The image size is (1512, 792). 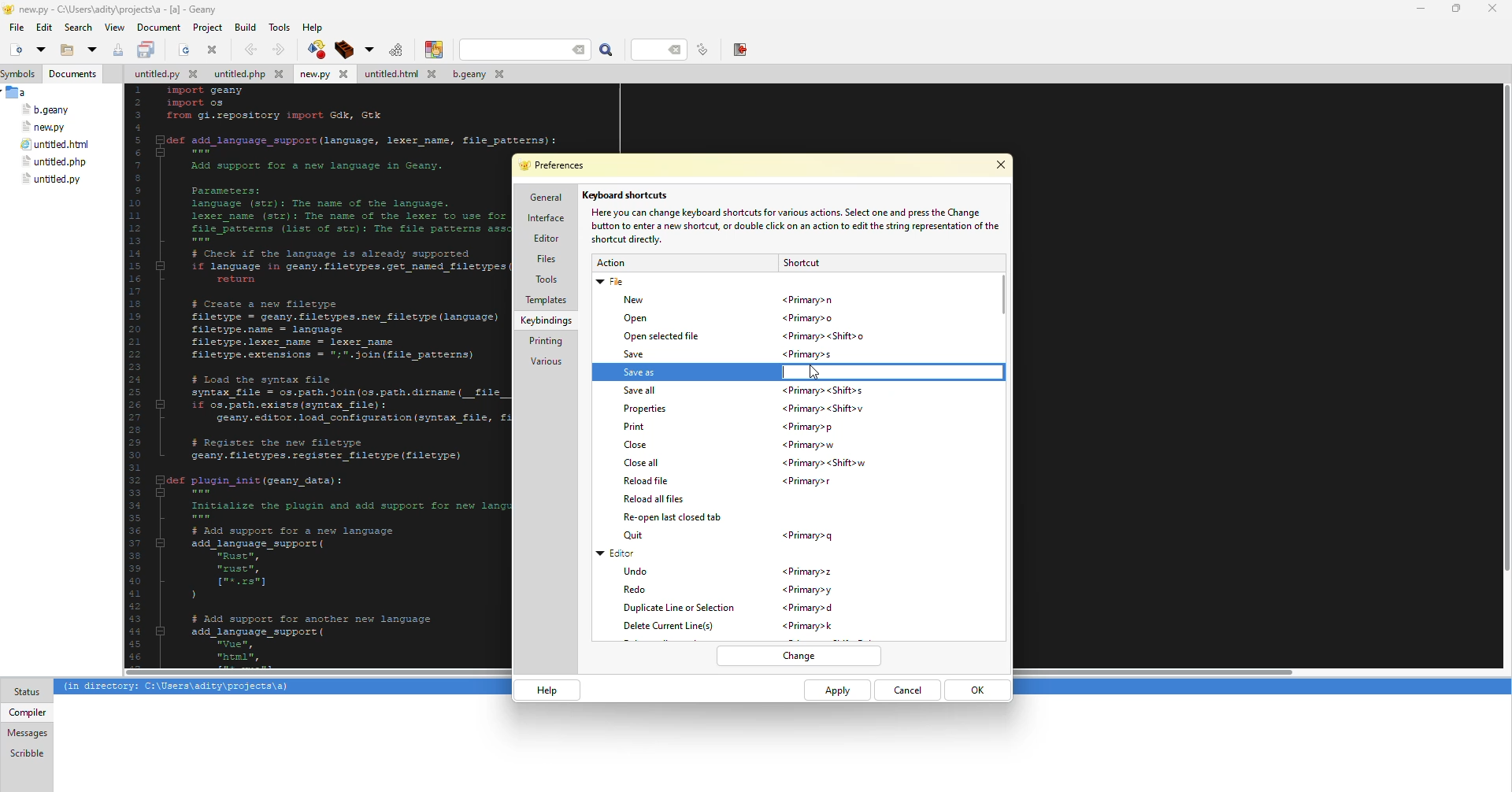 What do you see at coordinates (28, 733) in the screenshot?
I see `messages` at bounding box center [28, 733].